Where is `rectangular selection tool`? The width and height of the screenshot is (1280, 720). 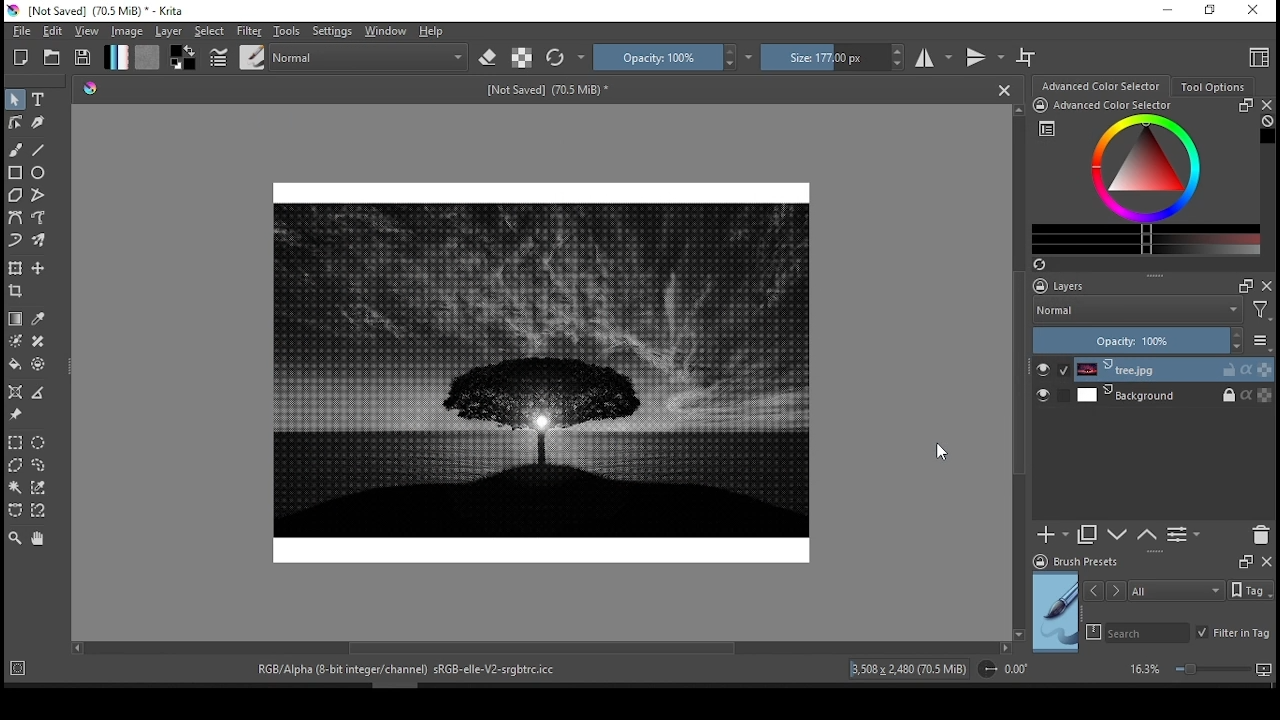 rectangular selection tool is located at coordinates (16, 443).